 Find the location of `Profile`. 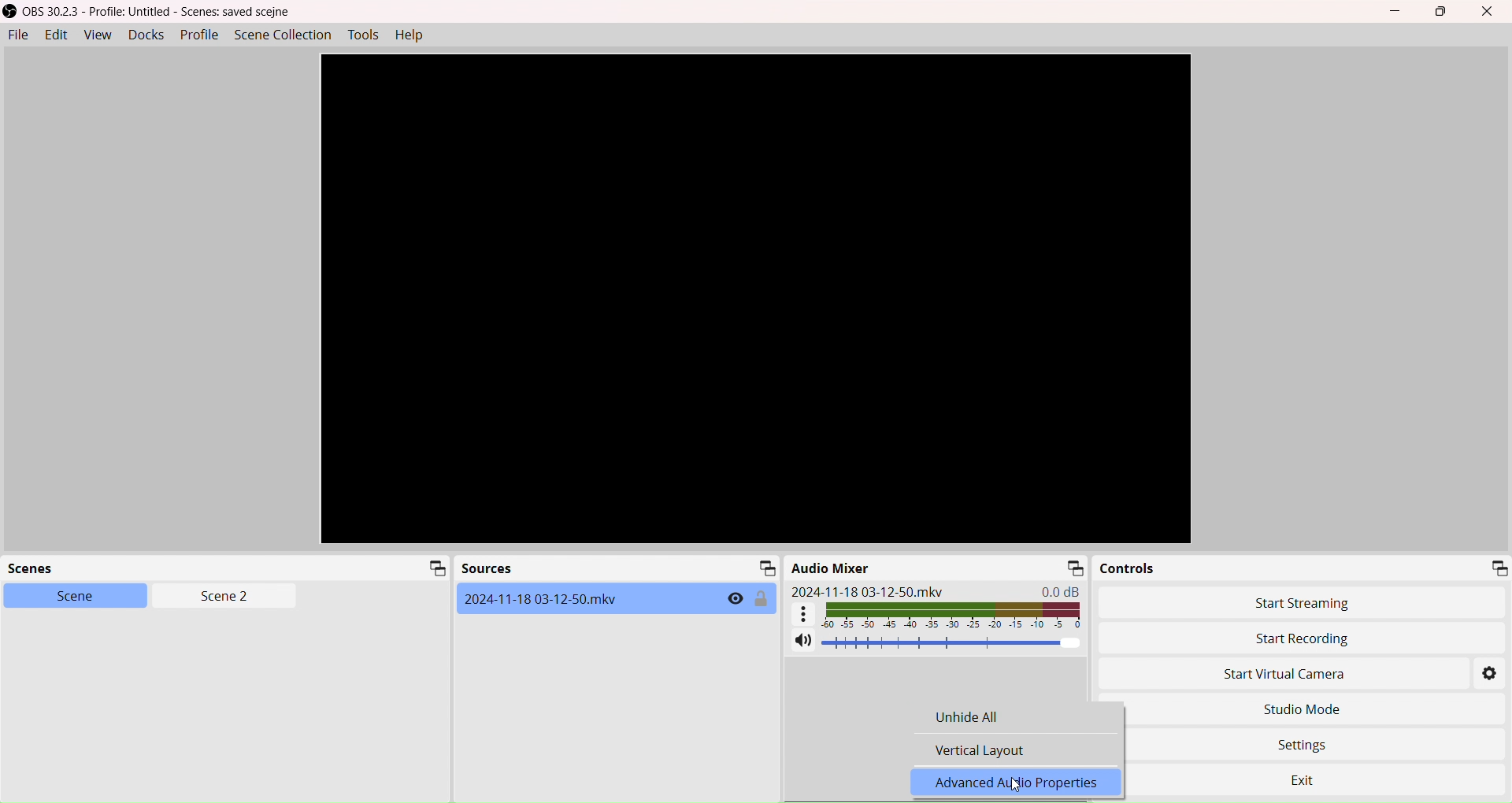

Profile is located at coordinates (199, 35).